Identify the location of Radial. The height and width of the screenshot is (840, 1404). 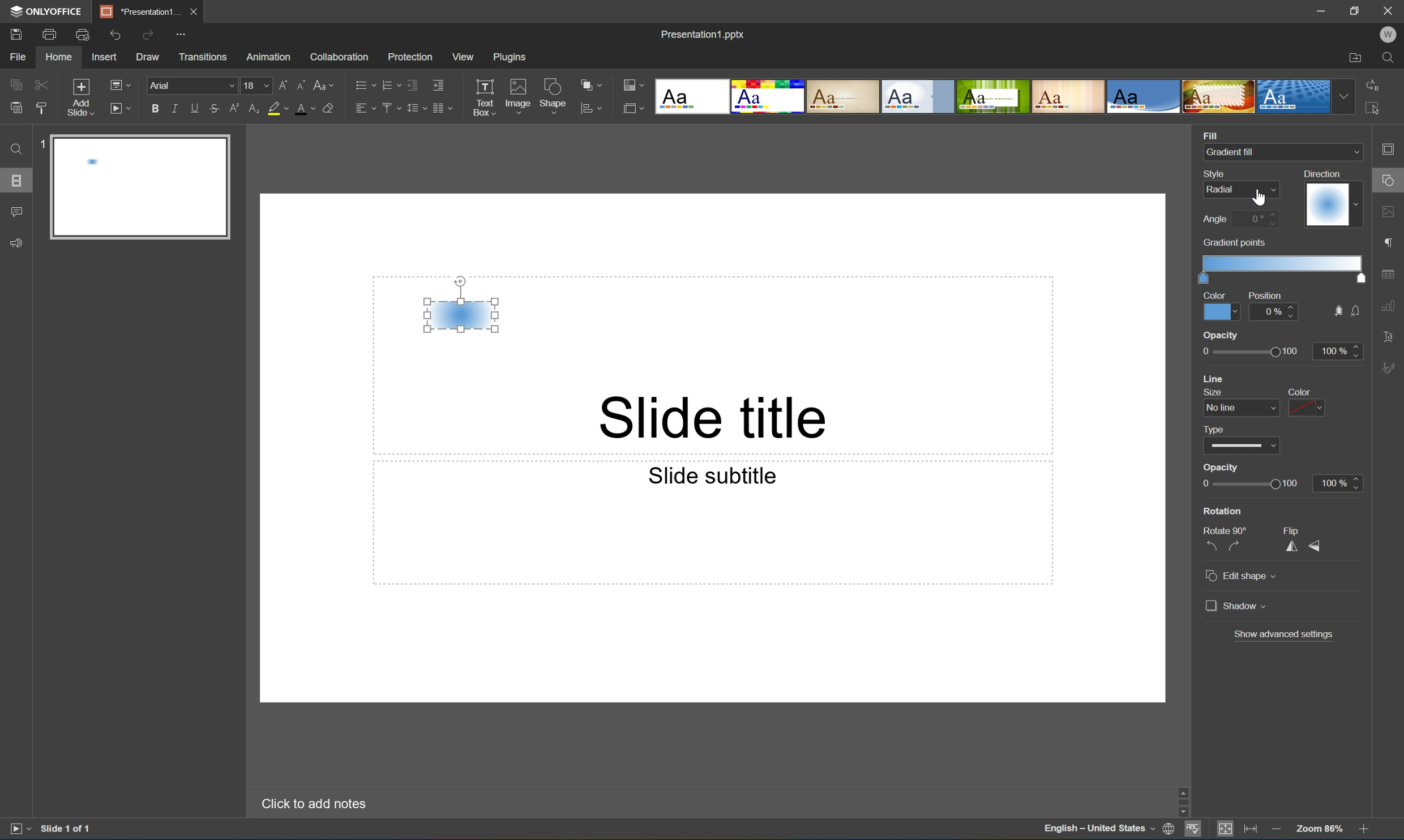
(1222, 189).